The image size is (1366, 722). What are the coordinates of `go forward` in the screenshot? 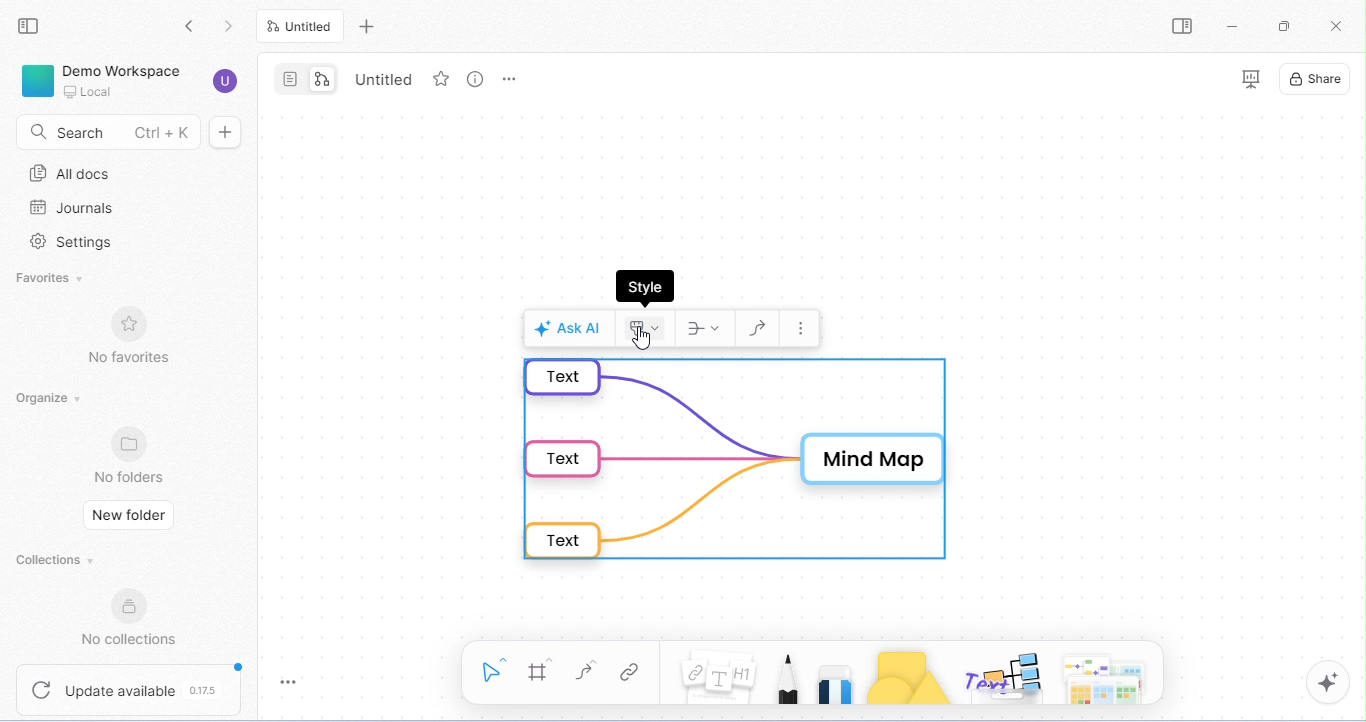 It's located at (231, 27).